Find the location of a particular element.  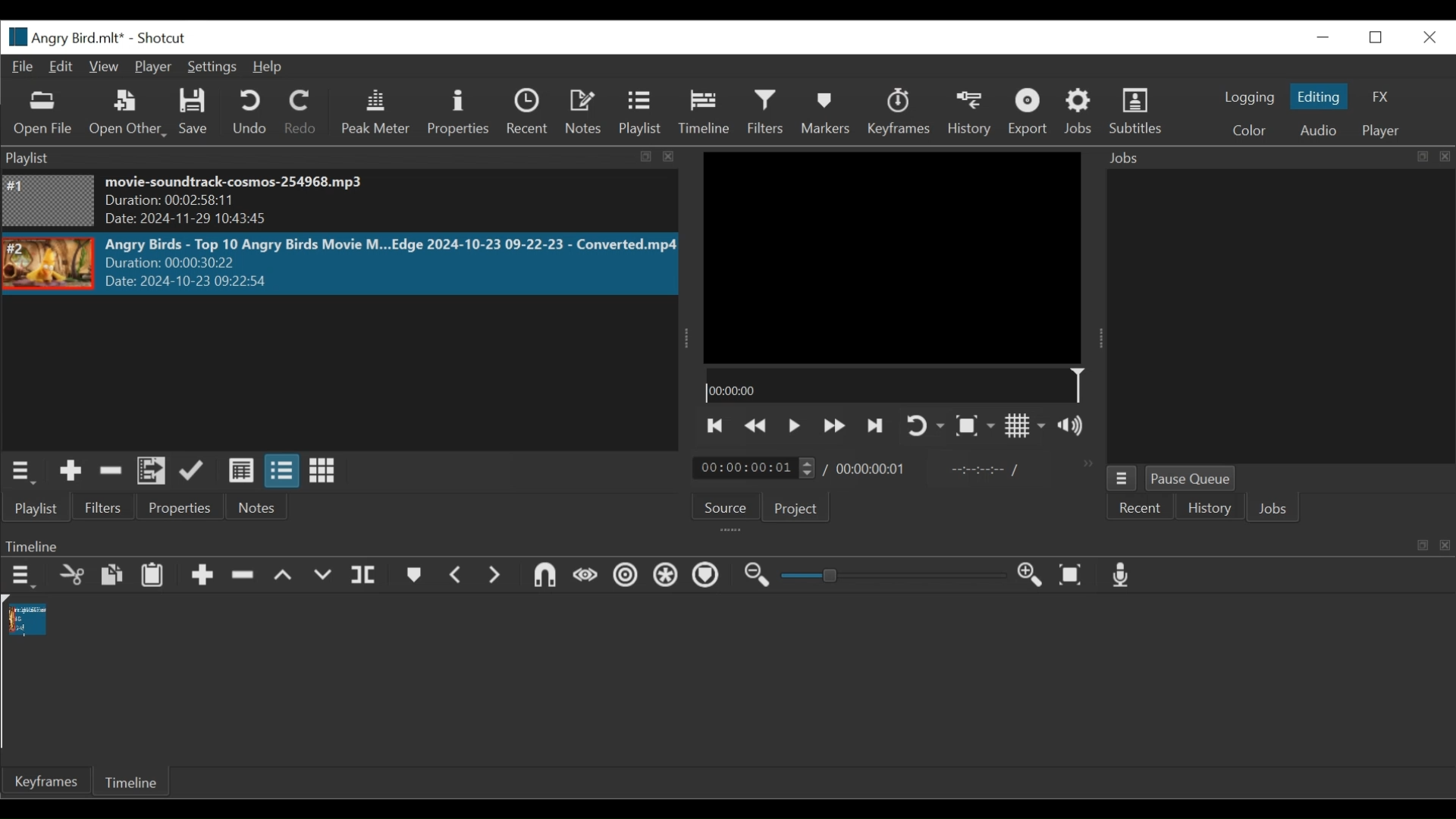

Record audio is located at coordinates (1122, 576).